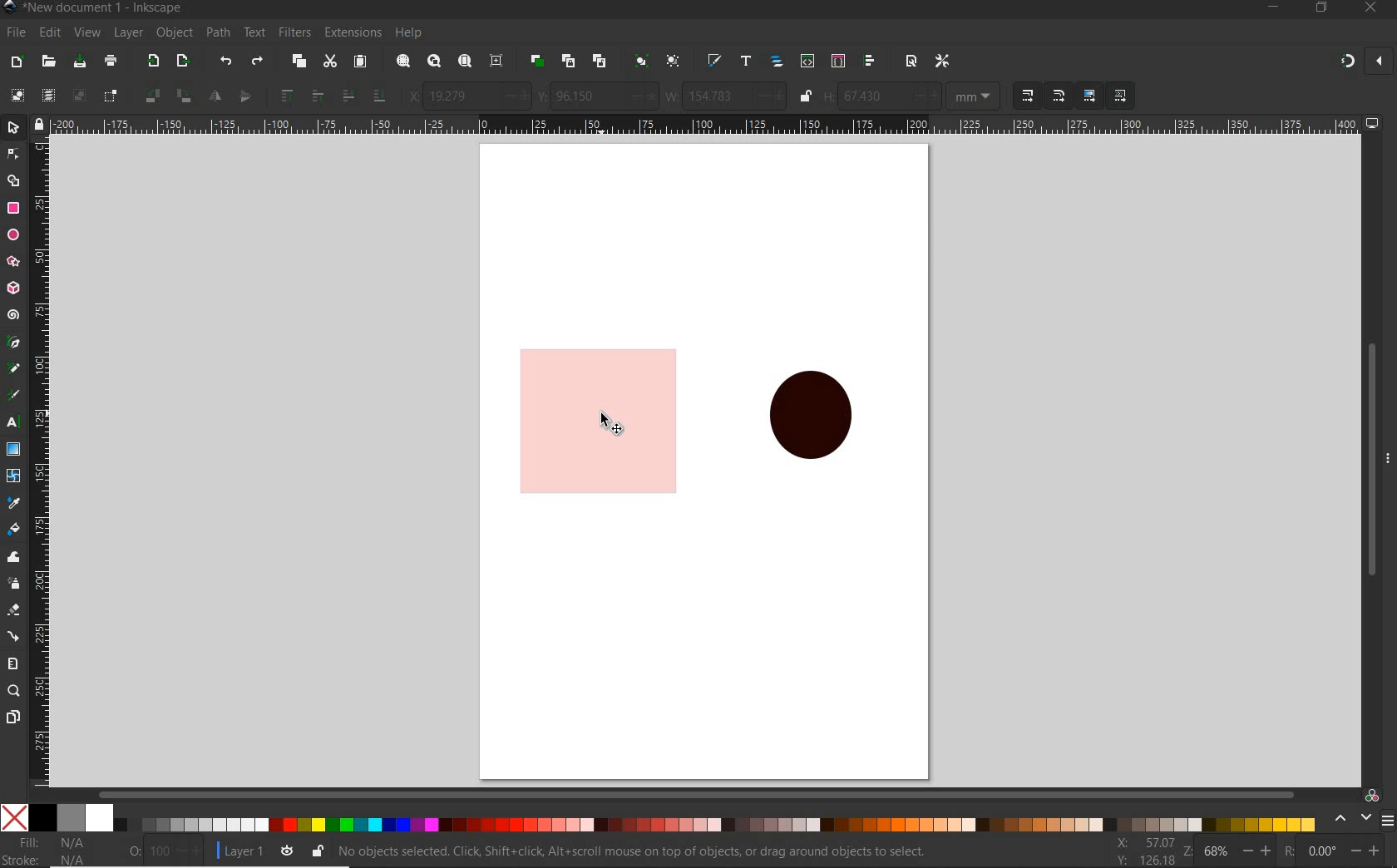  What do you see at coordinates (165, 95) in the screenshot?
I see `object flip 90 clockwise` at bounding box center [165, 95].